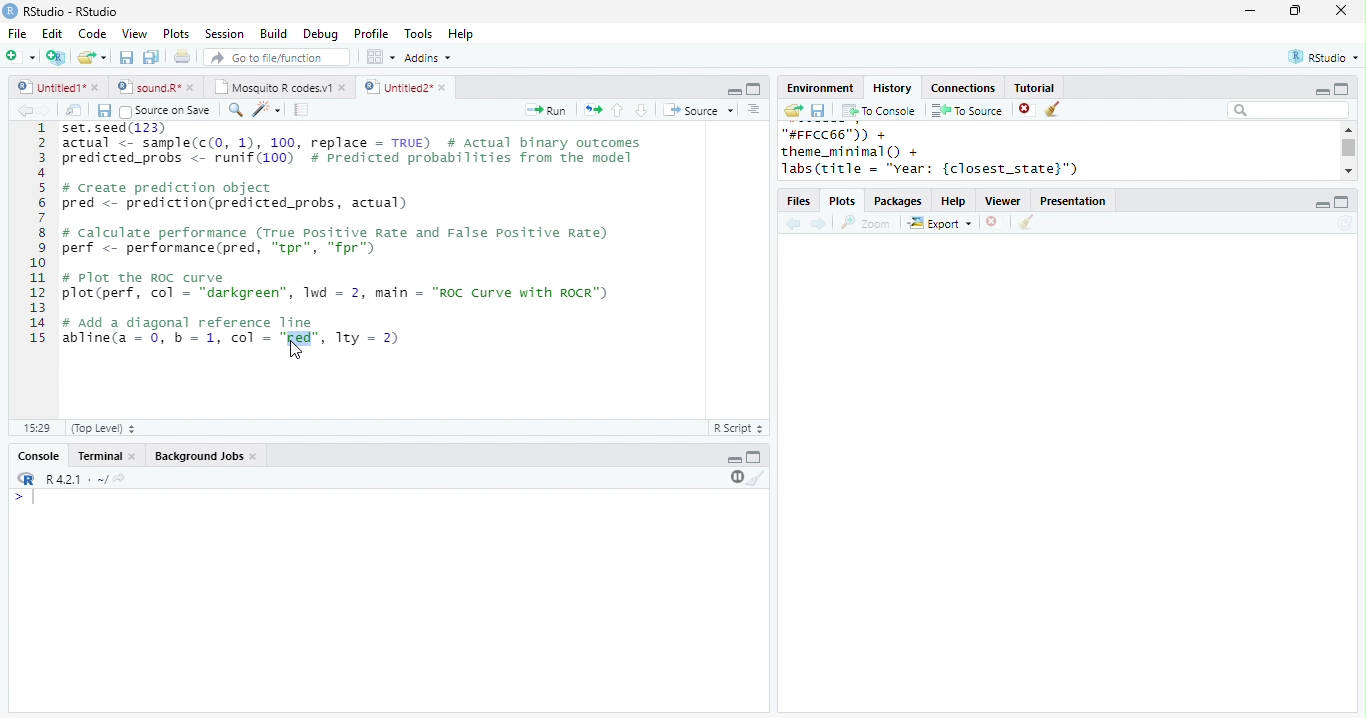 The image size is (1366, 718). Describe the element at coordinates (954, 202) in the screenshot. I see `help` at that location.